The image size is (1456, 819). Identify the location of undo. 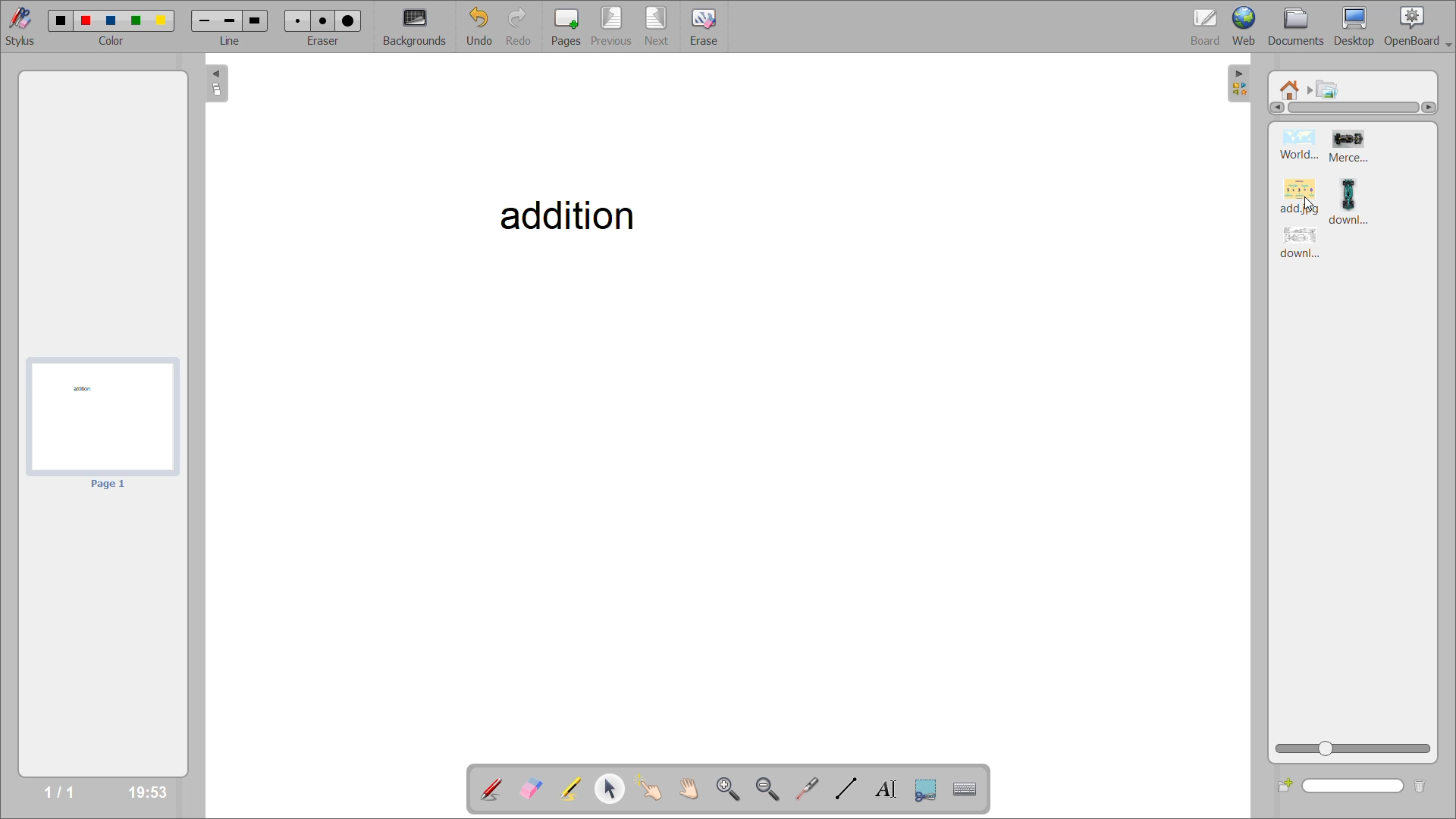
(486, 27).